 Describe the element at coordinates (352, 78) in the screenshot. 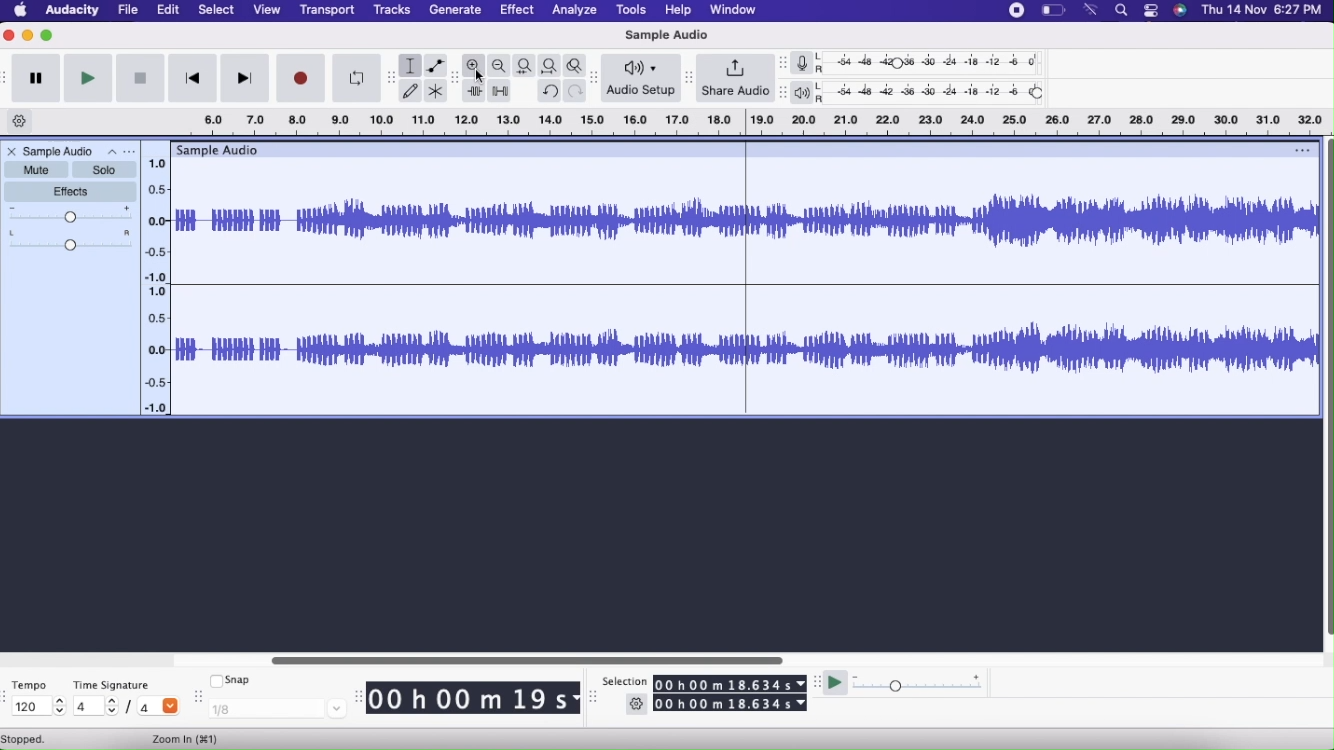

I see `Enable Looping` at that location.